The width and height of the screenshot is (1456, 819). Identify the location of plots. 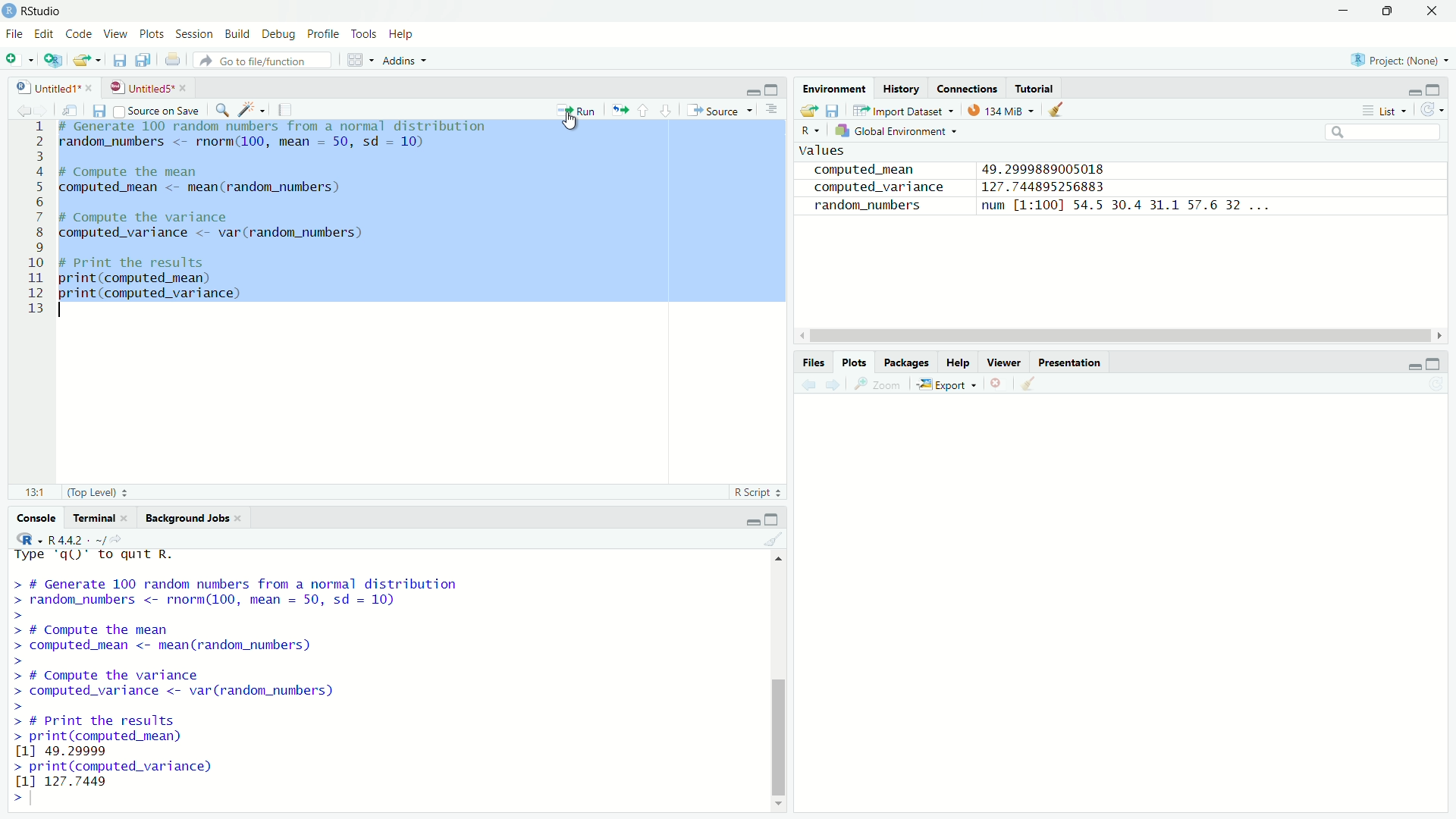
(153, 35).